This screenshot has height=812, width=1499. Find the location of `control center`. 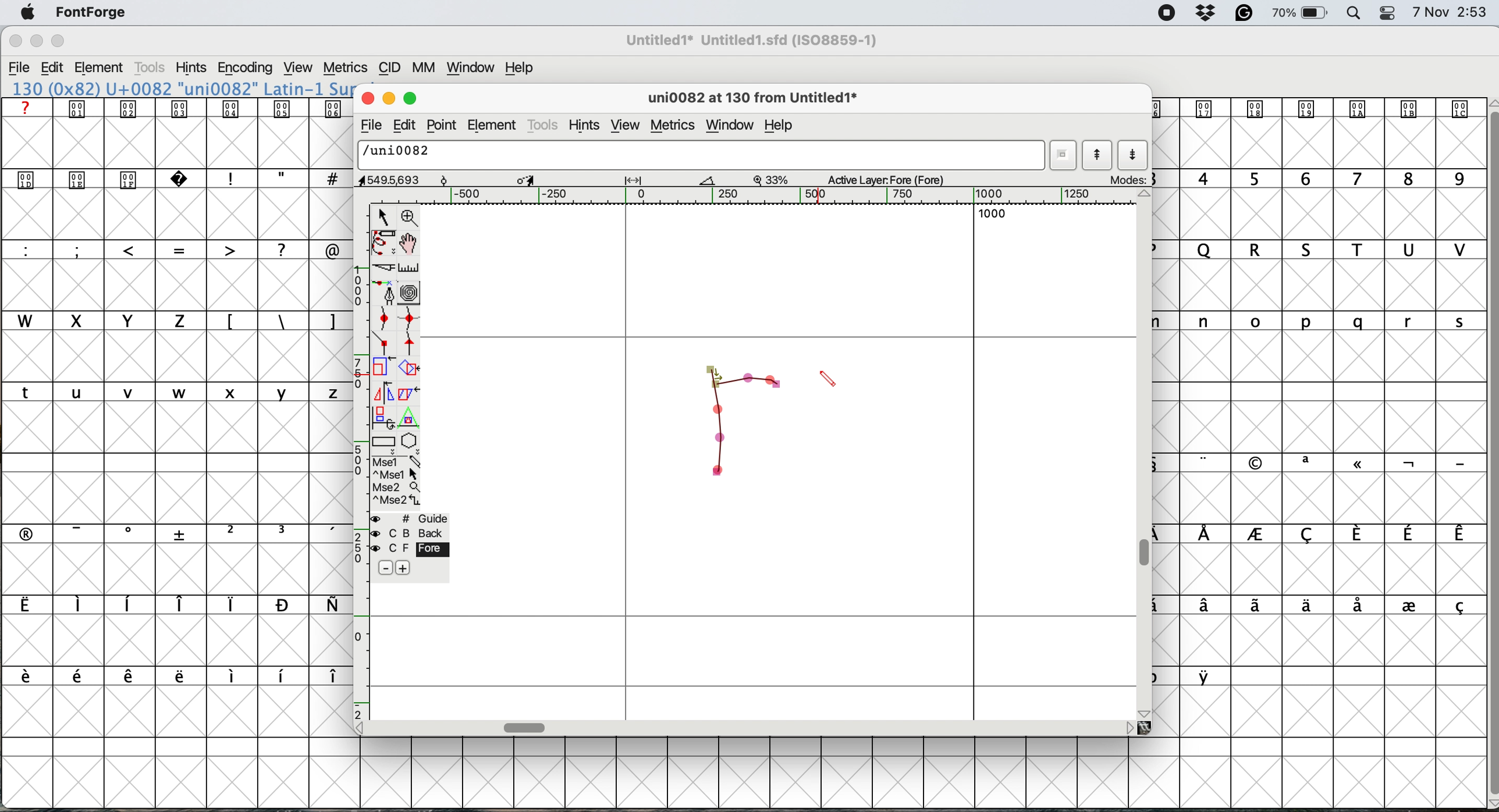

control center is located at coordinates (1391, 12).